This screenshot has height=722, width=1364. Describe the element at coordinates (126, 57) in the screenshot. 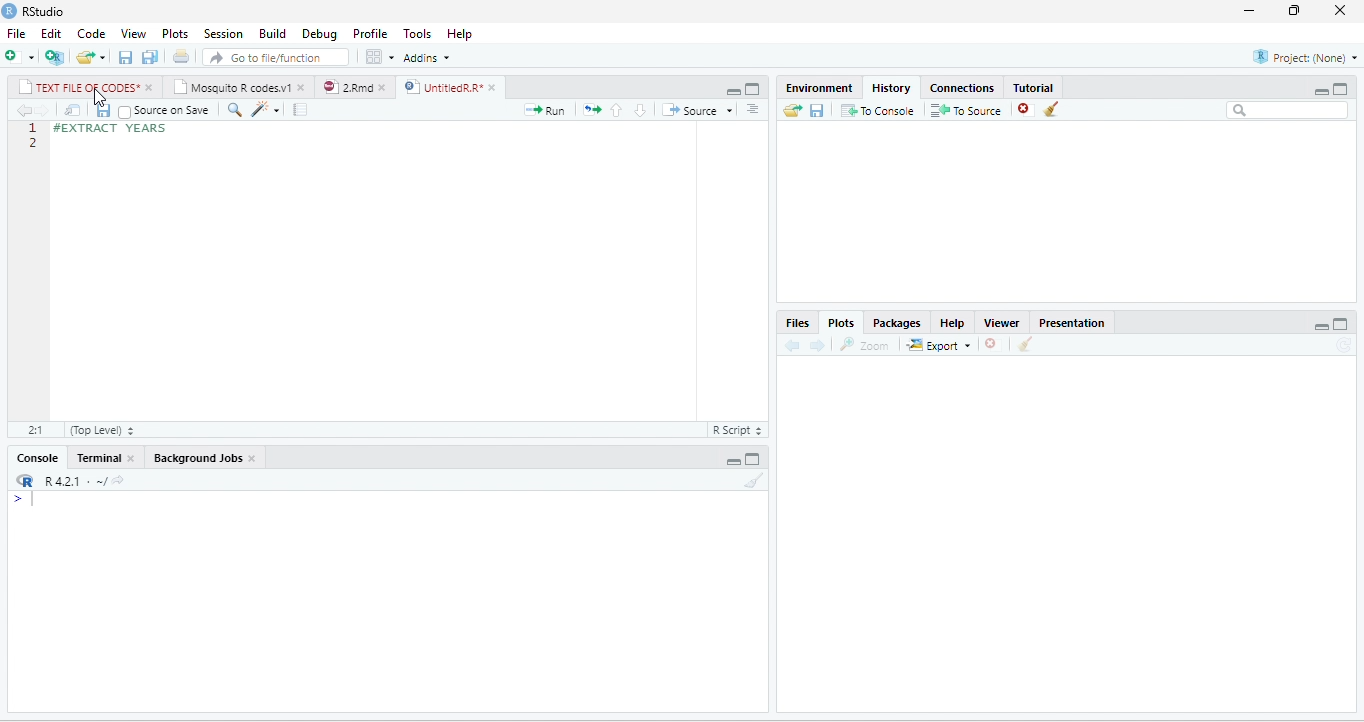

I see `save` at that location.